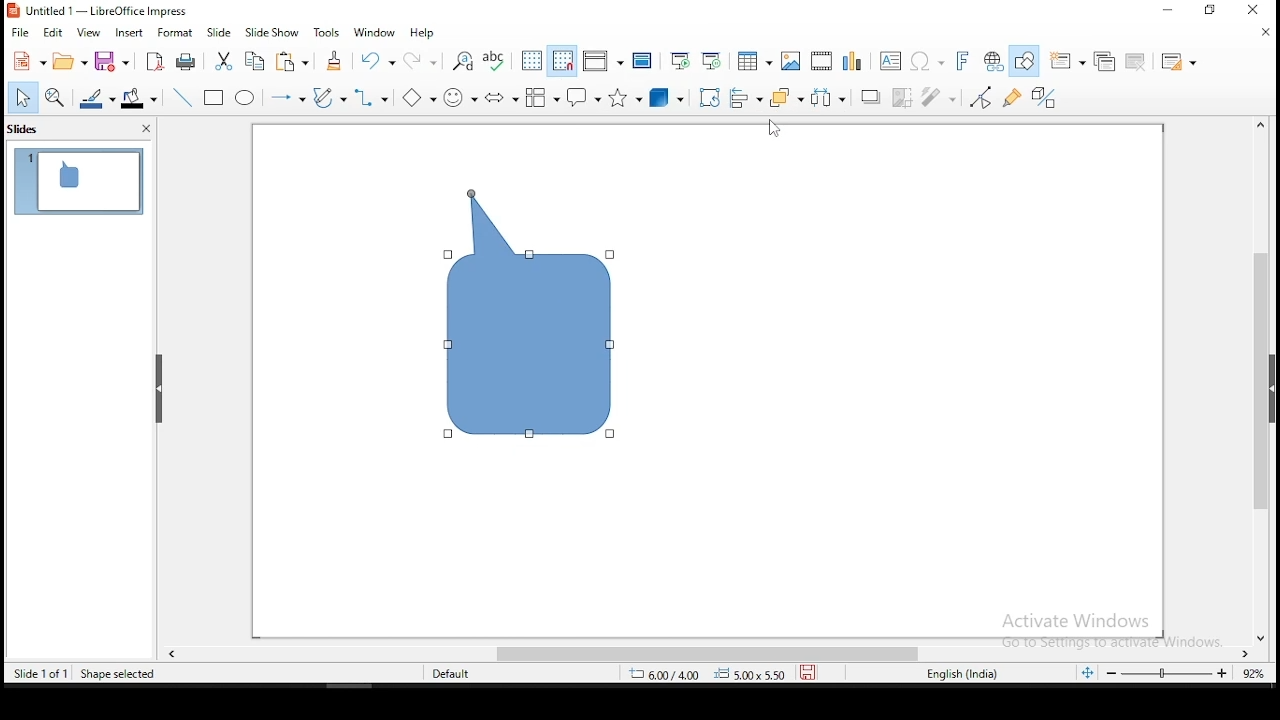 The height and width of the screenshot is (720, 1280). I want to click on rectangle, so click(215, 98).